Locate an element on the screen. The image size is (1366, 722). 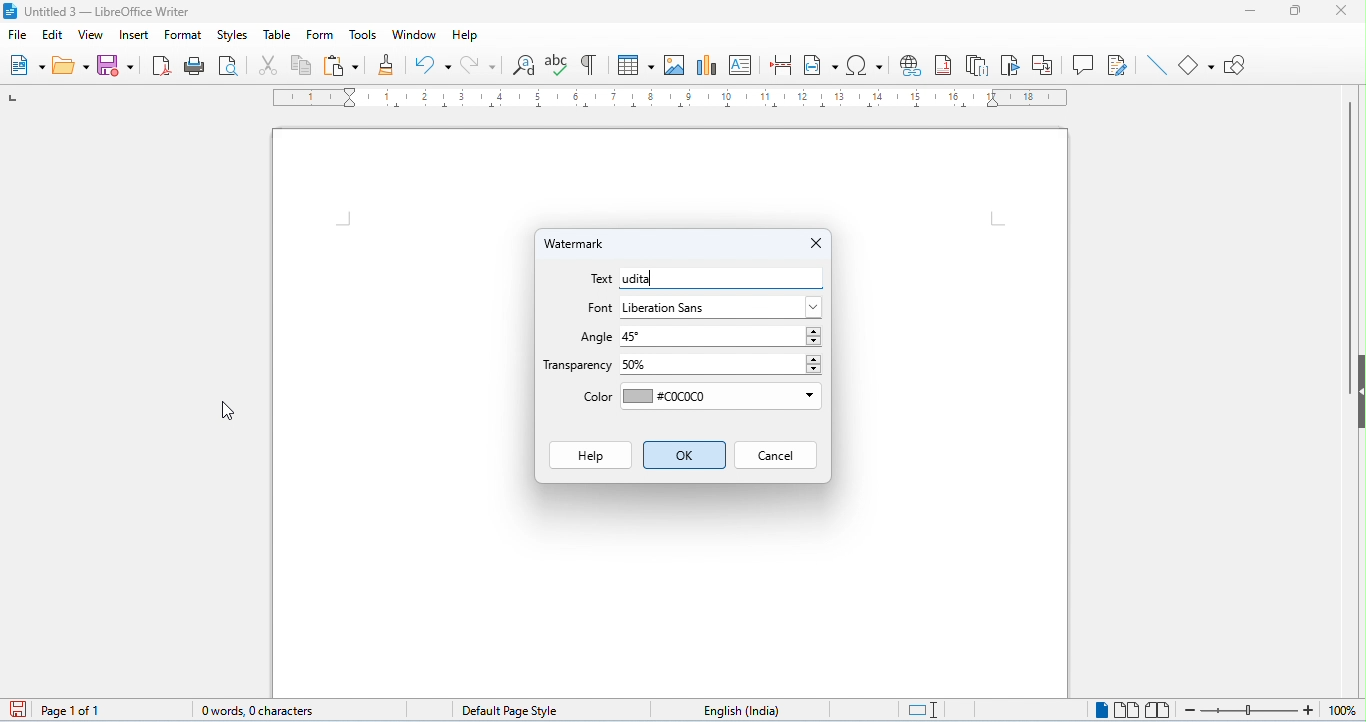
transparency is located at coordinates (579, 366).